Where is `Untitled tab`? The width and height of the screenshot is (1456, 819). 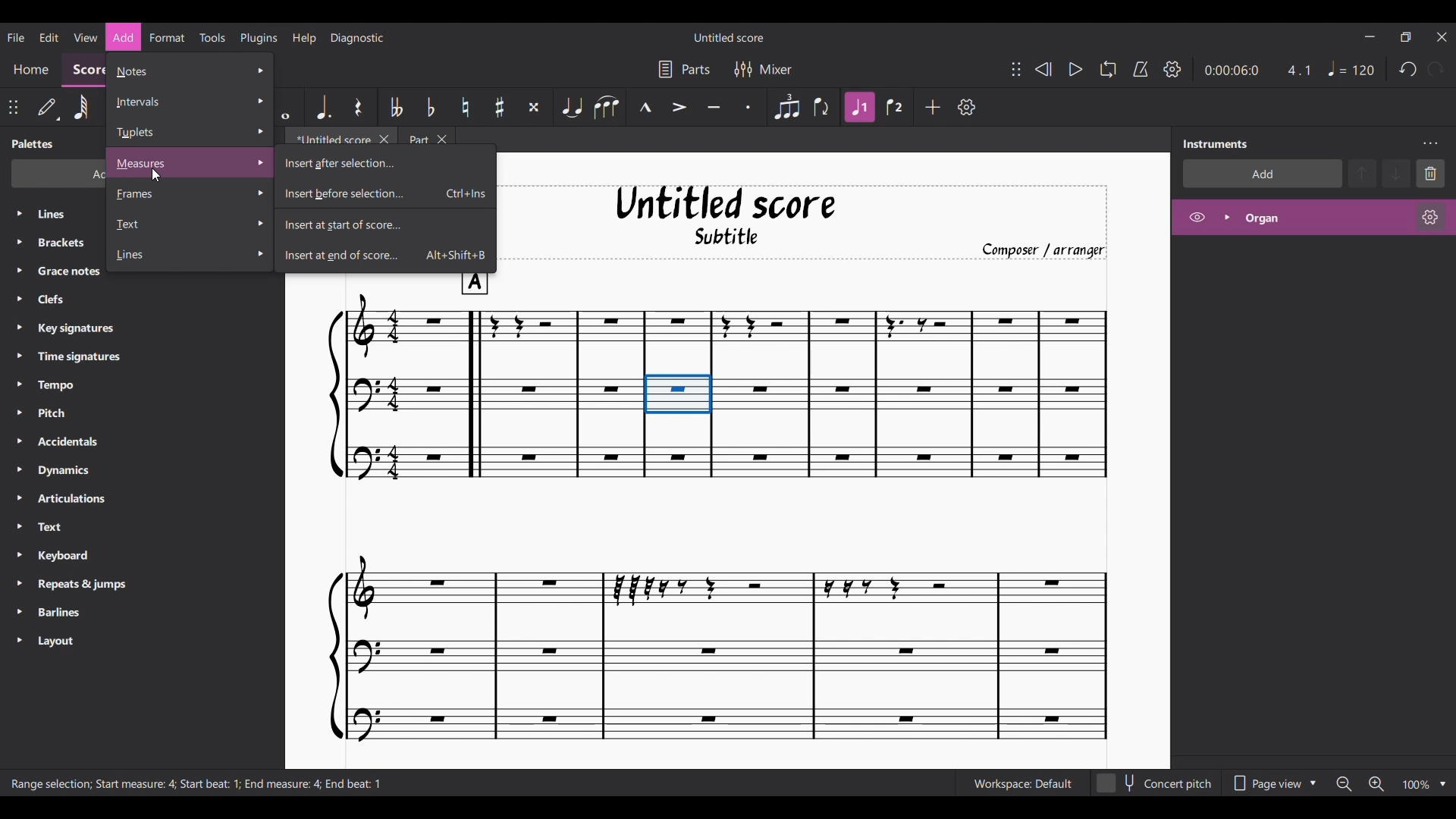
Untitled tab is located at coordinates (331, 140).